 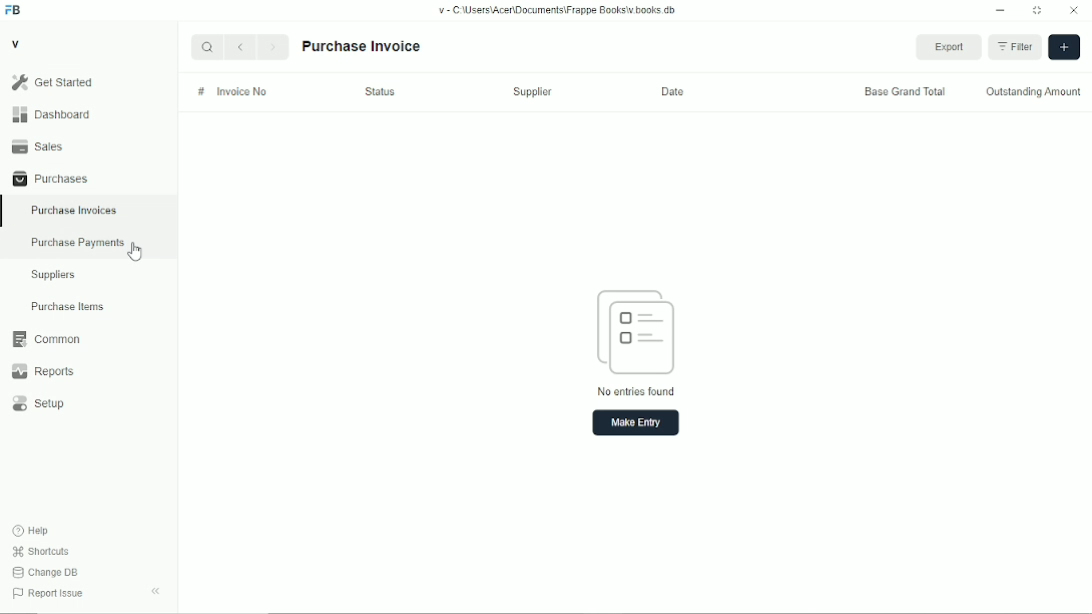 What do you see at coordinates (233, 91) in the screenshot?
I see `# Invoice No` at bounding box center [233, 91].